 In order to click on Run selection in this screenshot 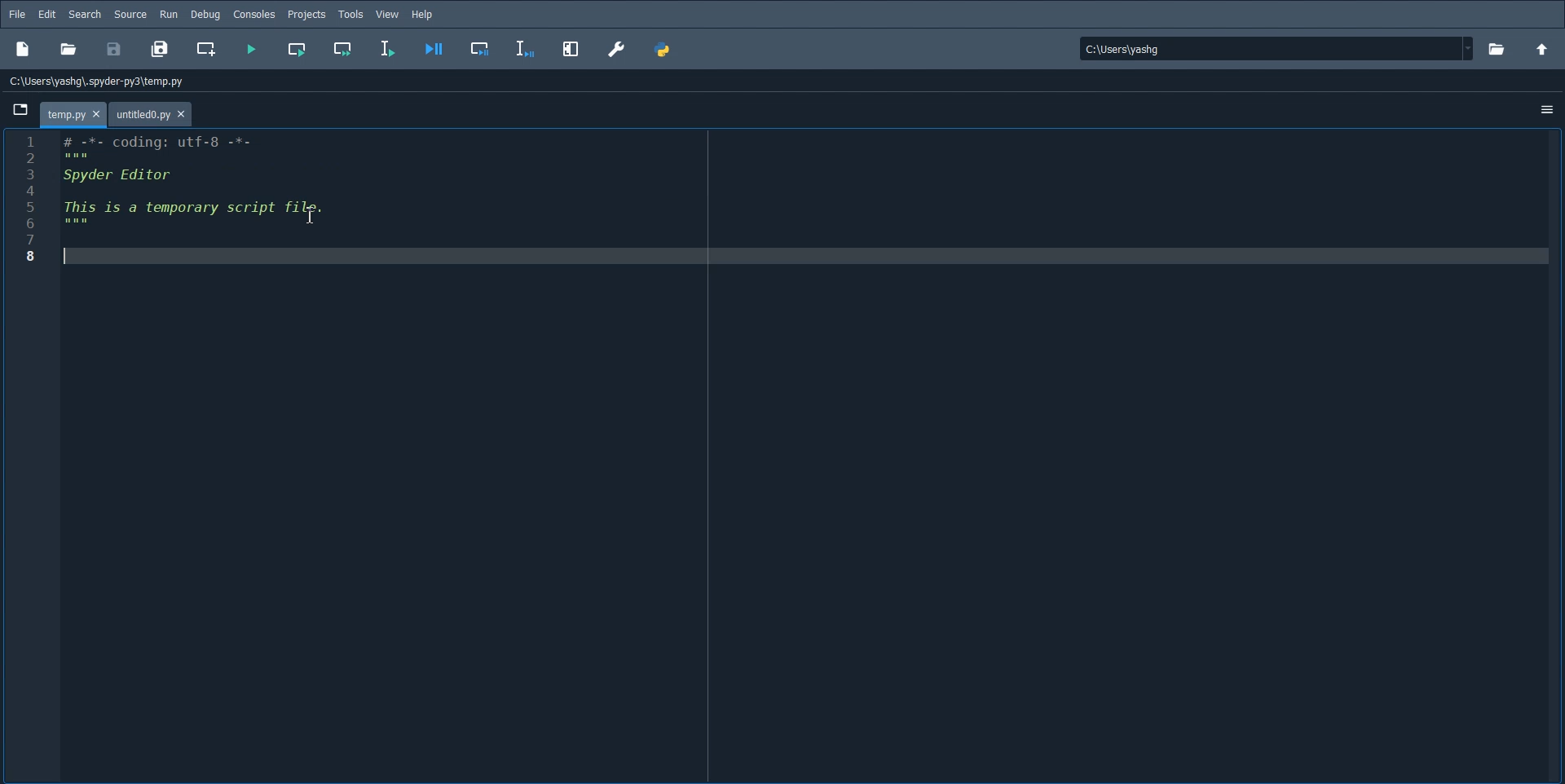, I will do `click(388, 51)`.